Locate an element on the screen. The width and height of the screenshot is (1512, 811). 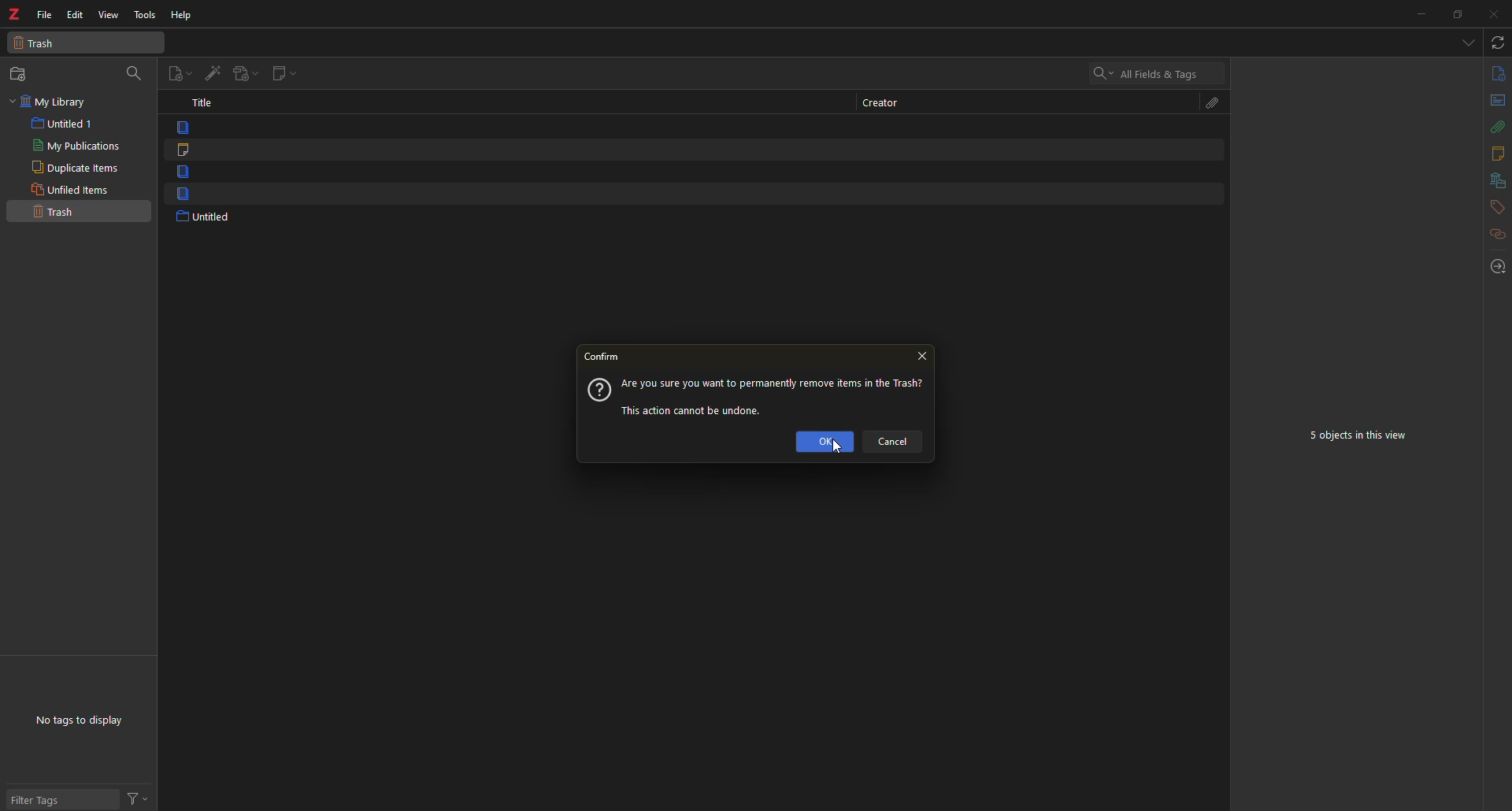
library is located at coordinates (1497, 180).